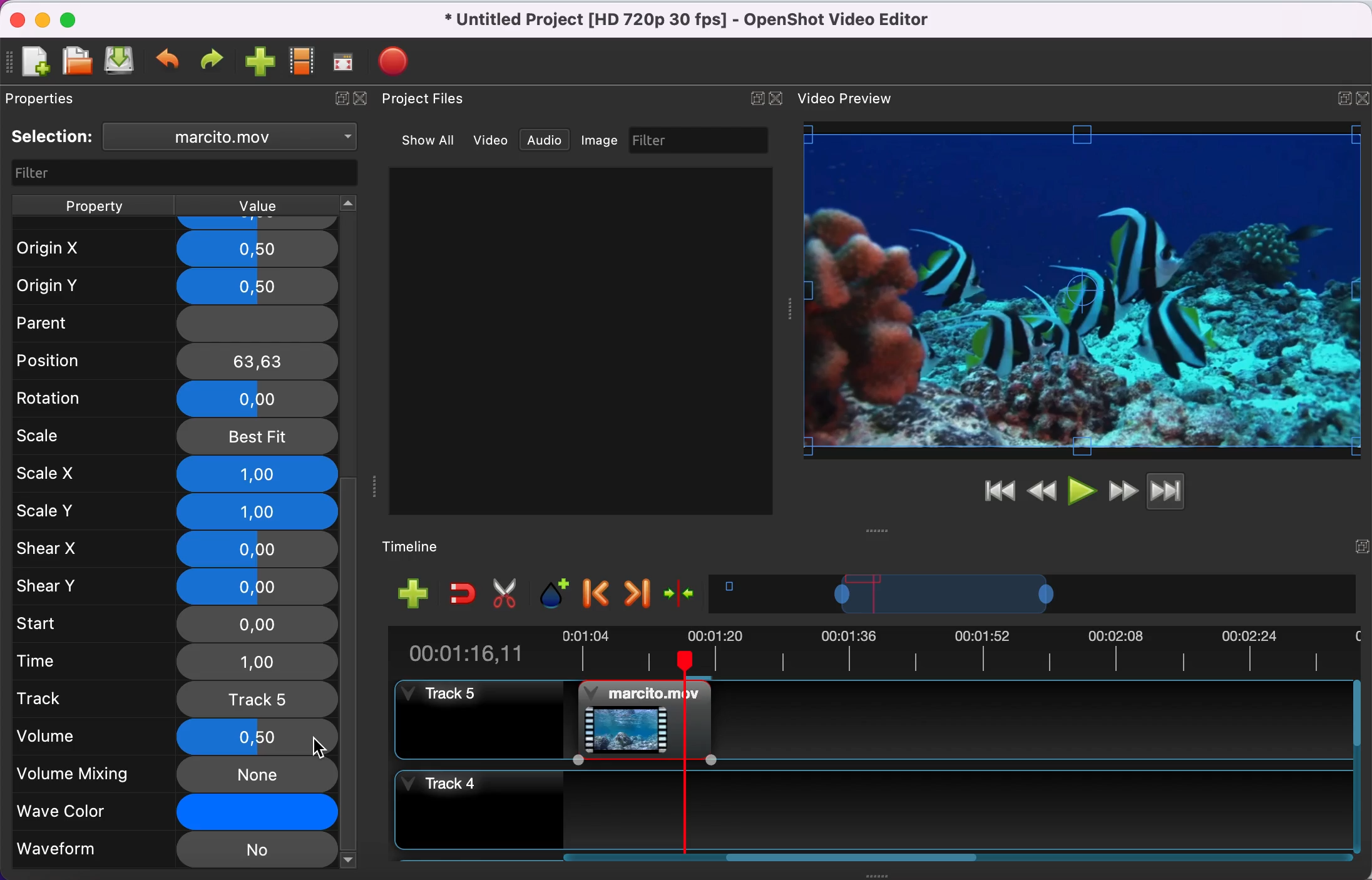  What do you see at coordinates (1036, 597) in the screenshot?
I see `timeline` at bounding box center [1036, 597].